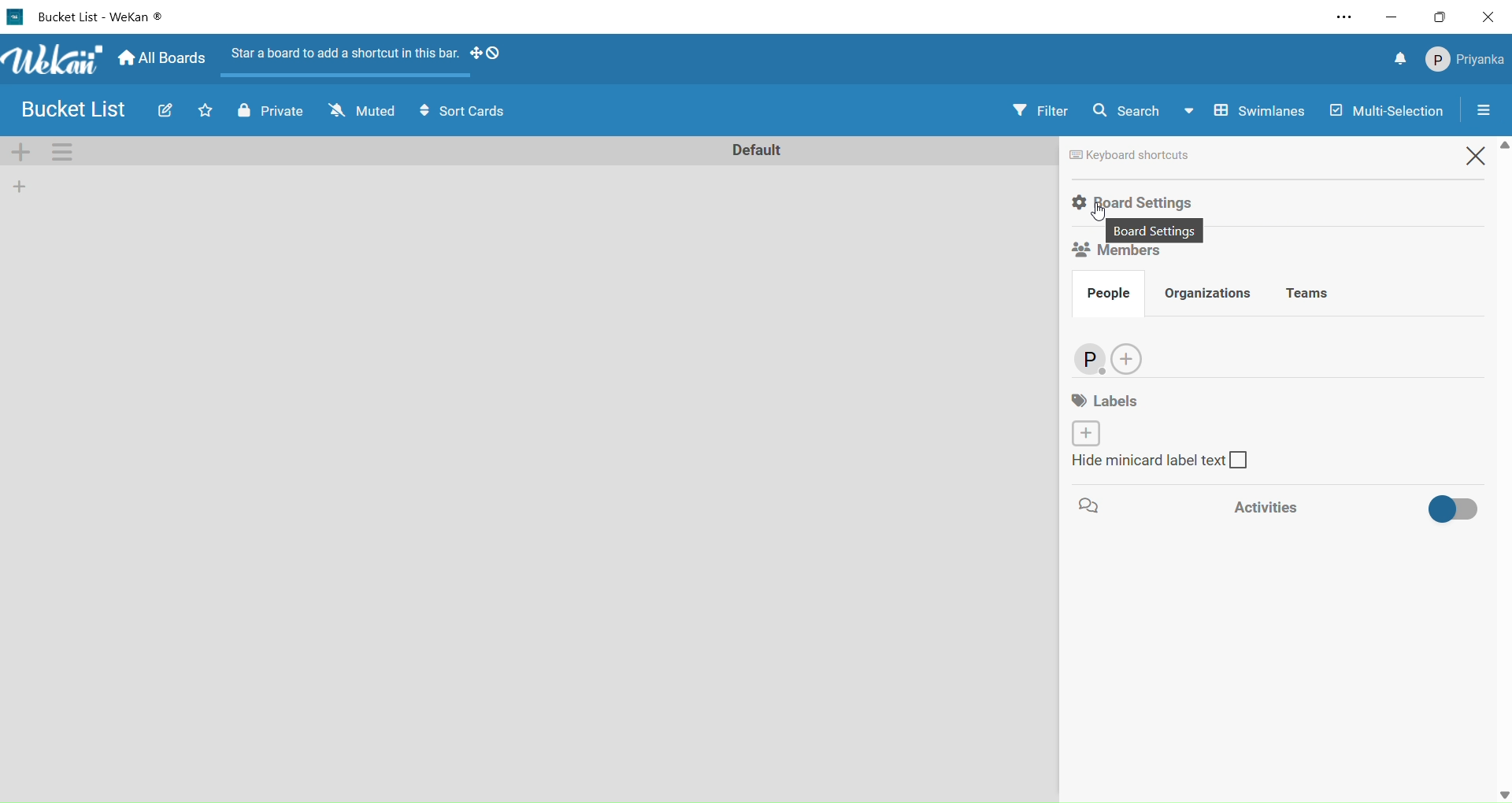 The height and width of the screenshot is (803, 1512). What do you see at coordinates (1089, 358) in the screenshot?
I see `admin` at bounding box center [1089, 358].